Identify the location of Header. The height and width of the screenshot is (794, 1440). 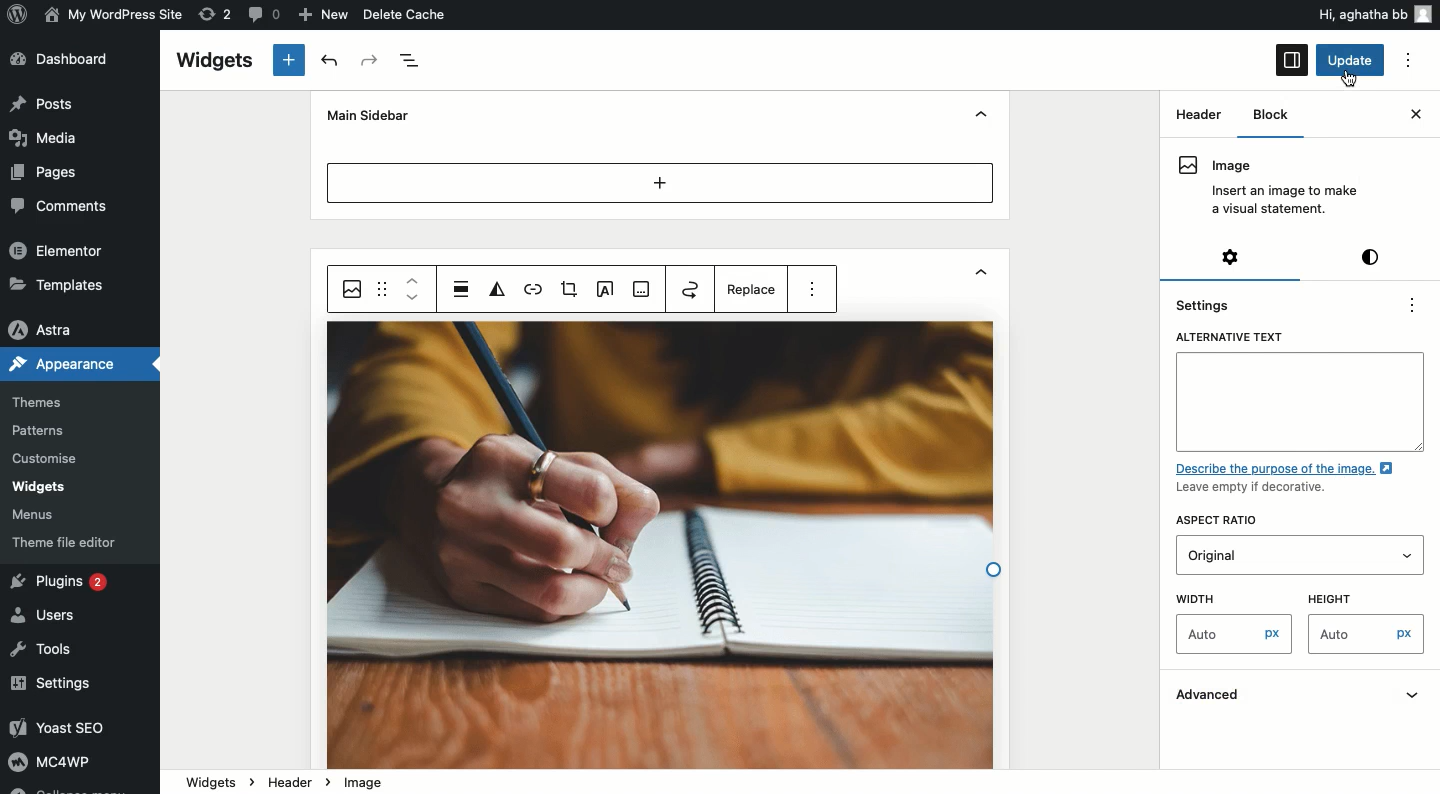
(1198, 113).